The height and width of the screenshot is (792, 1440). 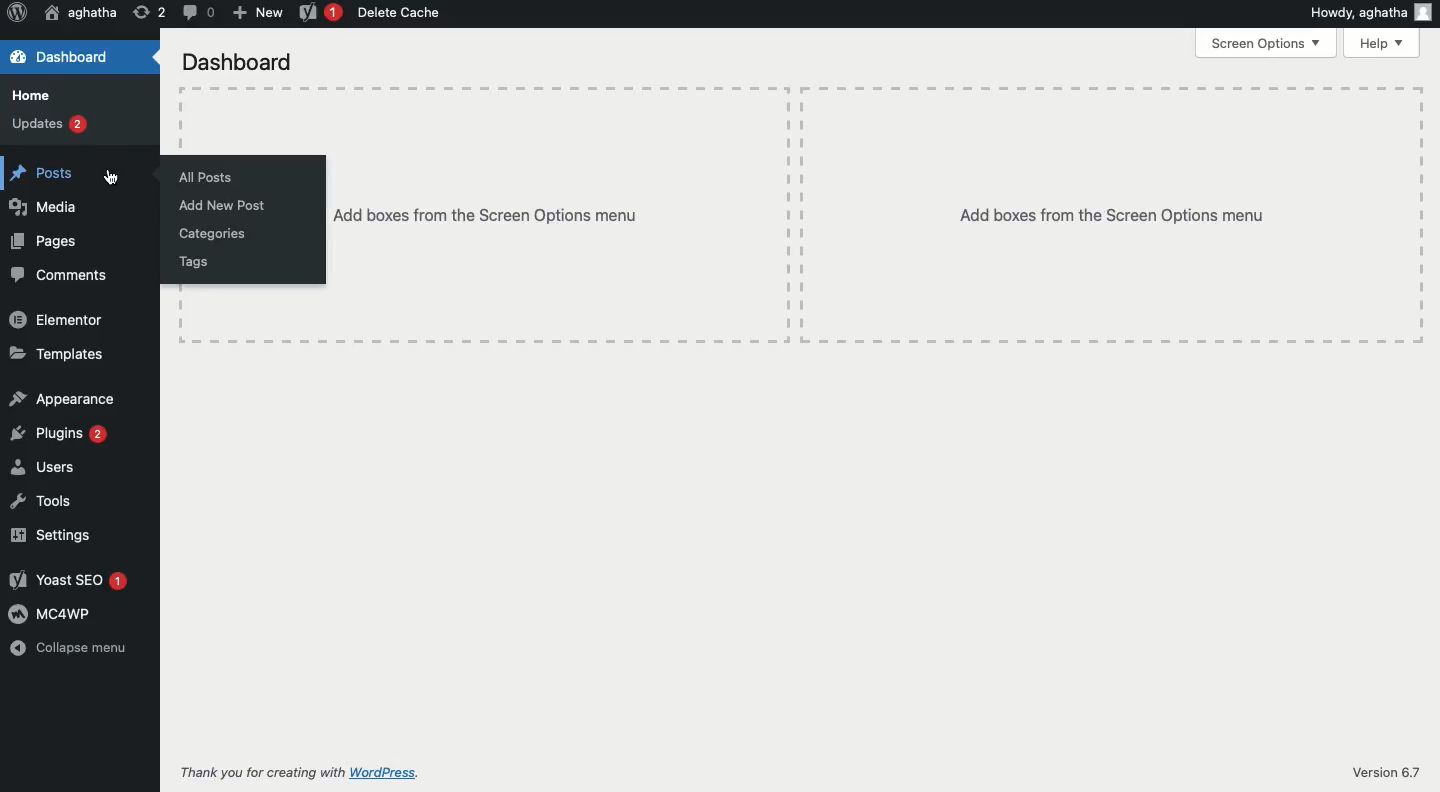 I want to click on Add boxes from the screen options menu, so click(x=878, y=216).